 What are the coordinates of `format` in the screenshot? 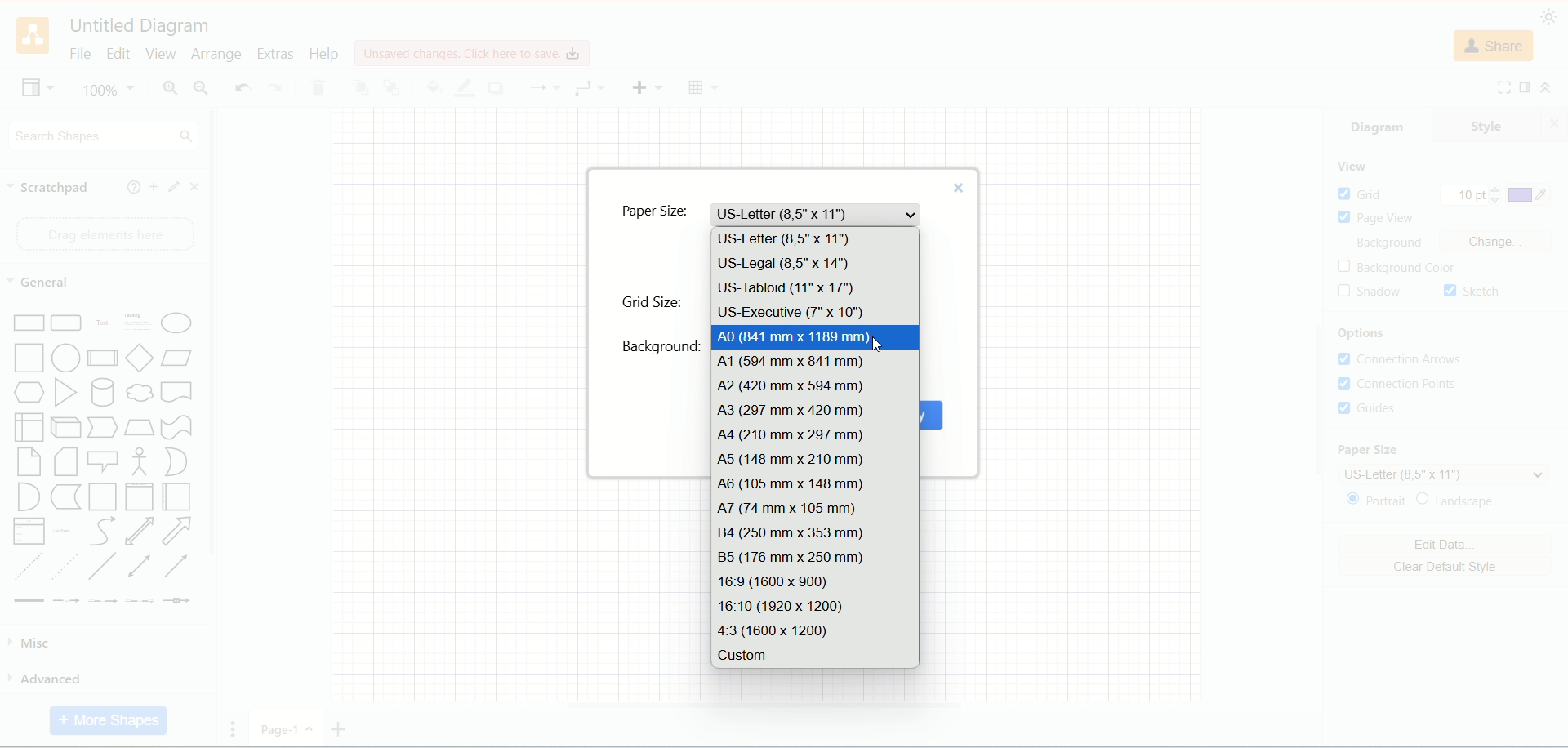 It's located at (1526, 88).